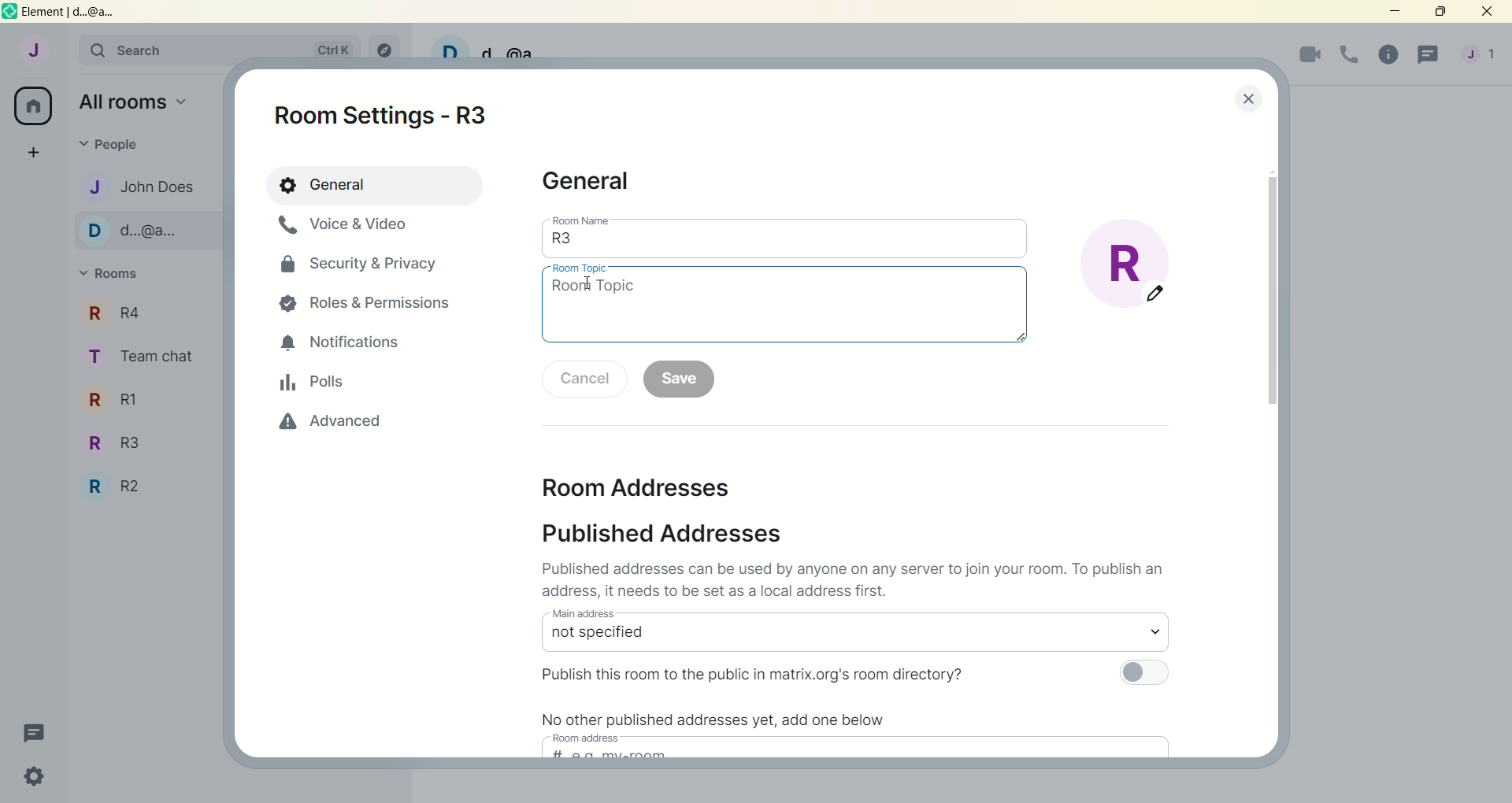 The width and height of the screenshot is (1512, 803). I want to click on main address, so click(581, 614).